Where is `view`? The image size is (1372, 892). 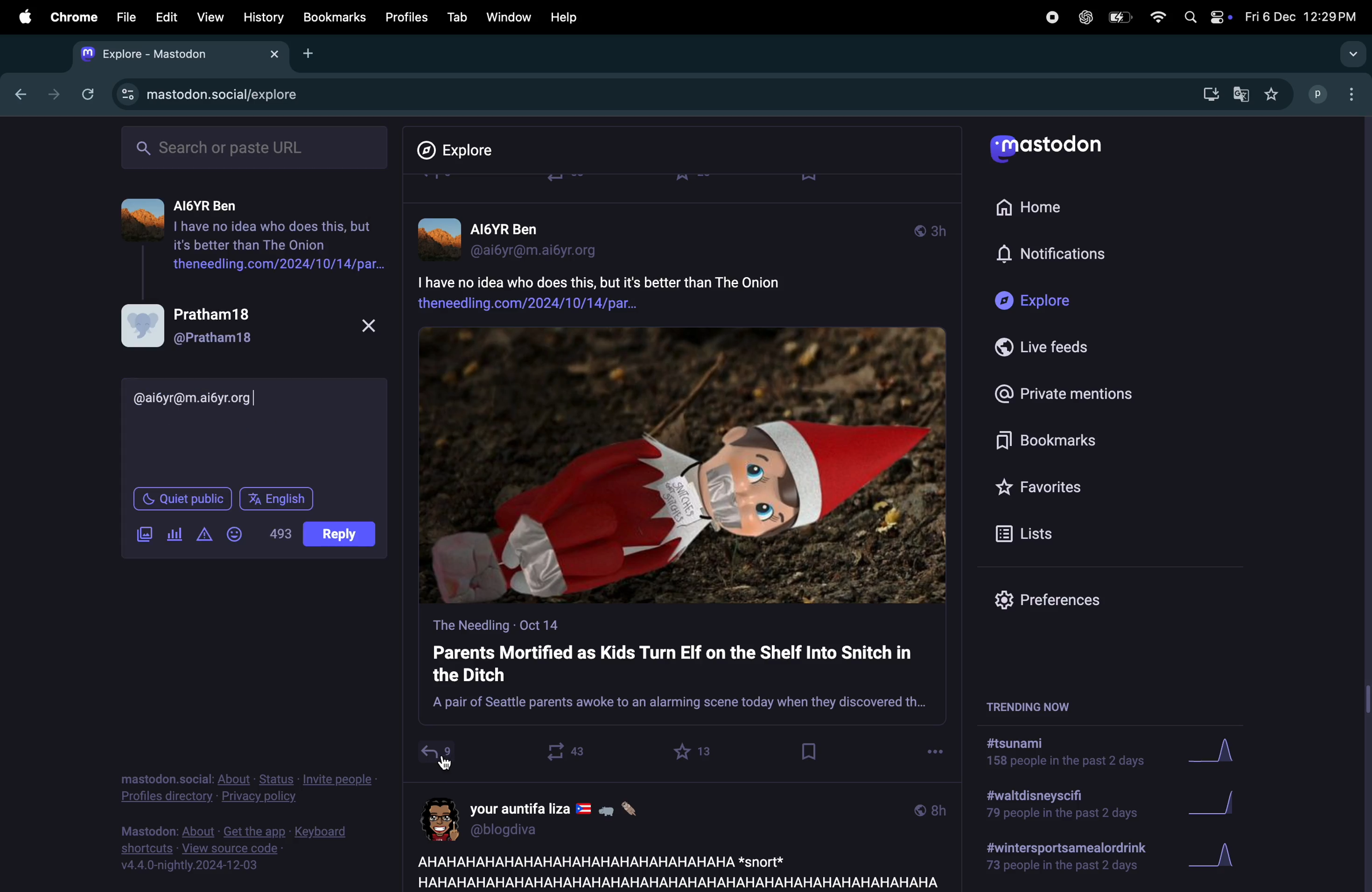 view is located at coordinates (207, 18).